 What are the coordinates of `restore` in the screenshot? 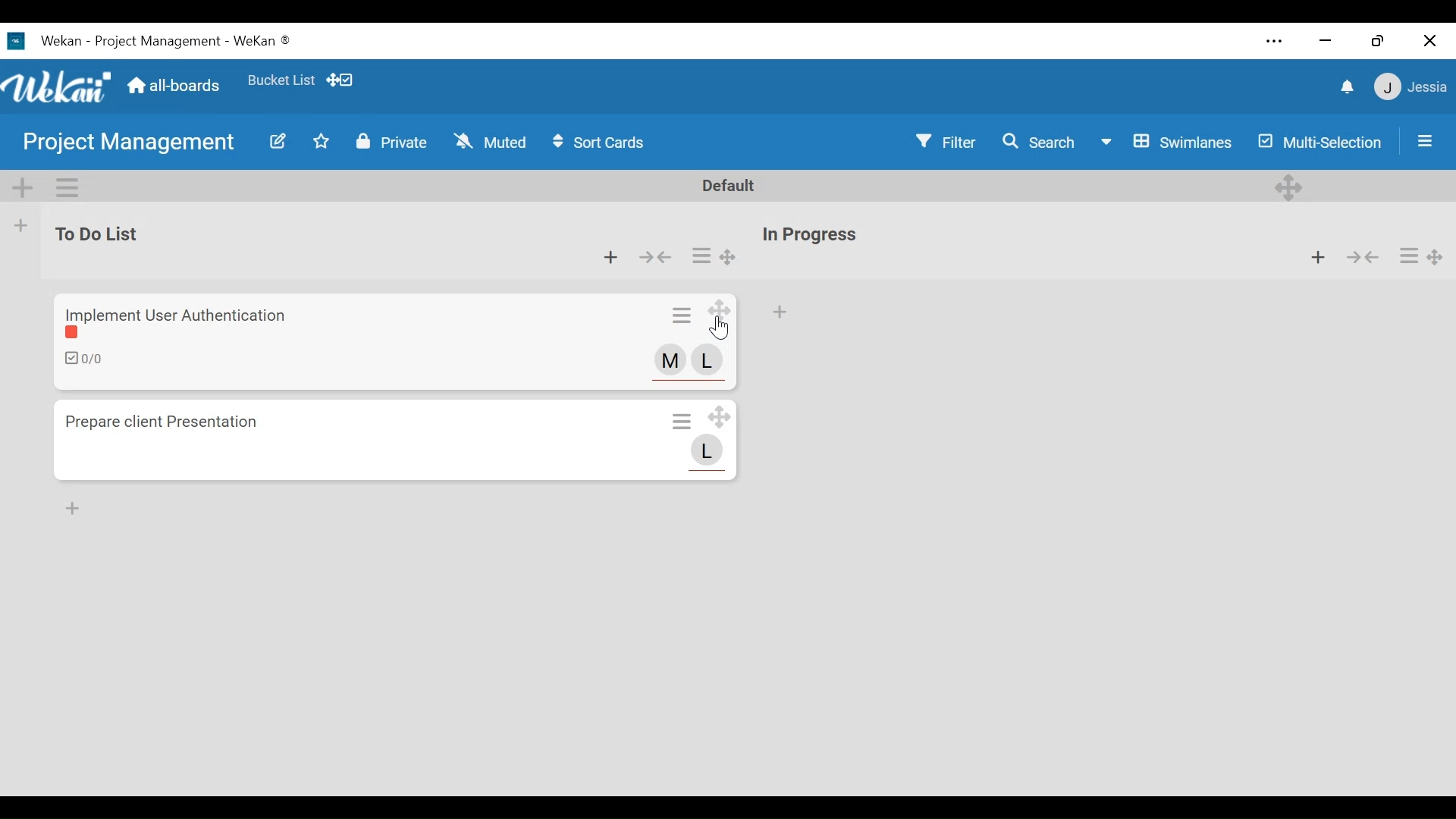 It's located at (1379, 40).